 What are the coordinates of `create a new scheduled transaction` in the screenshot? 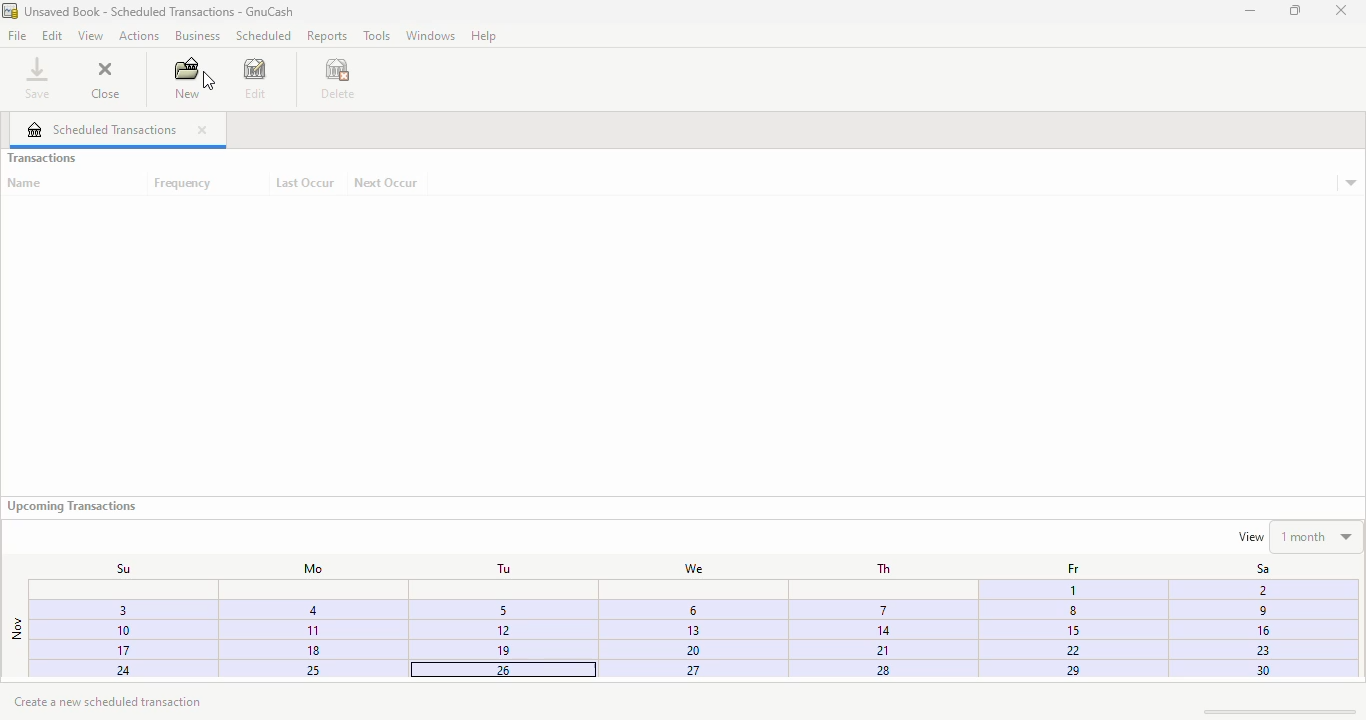 It's located at (111, 701).